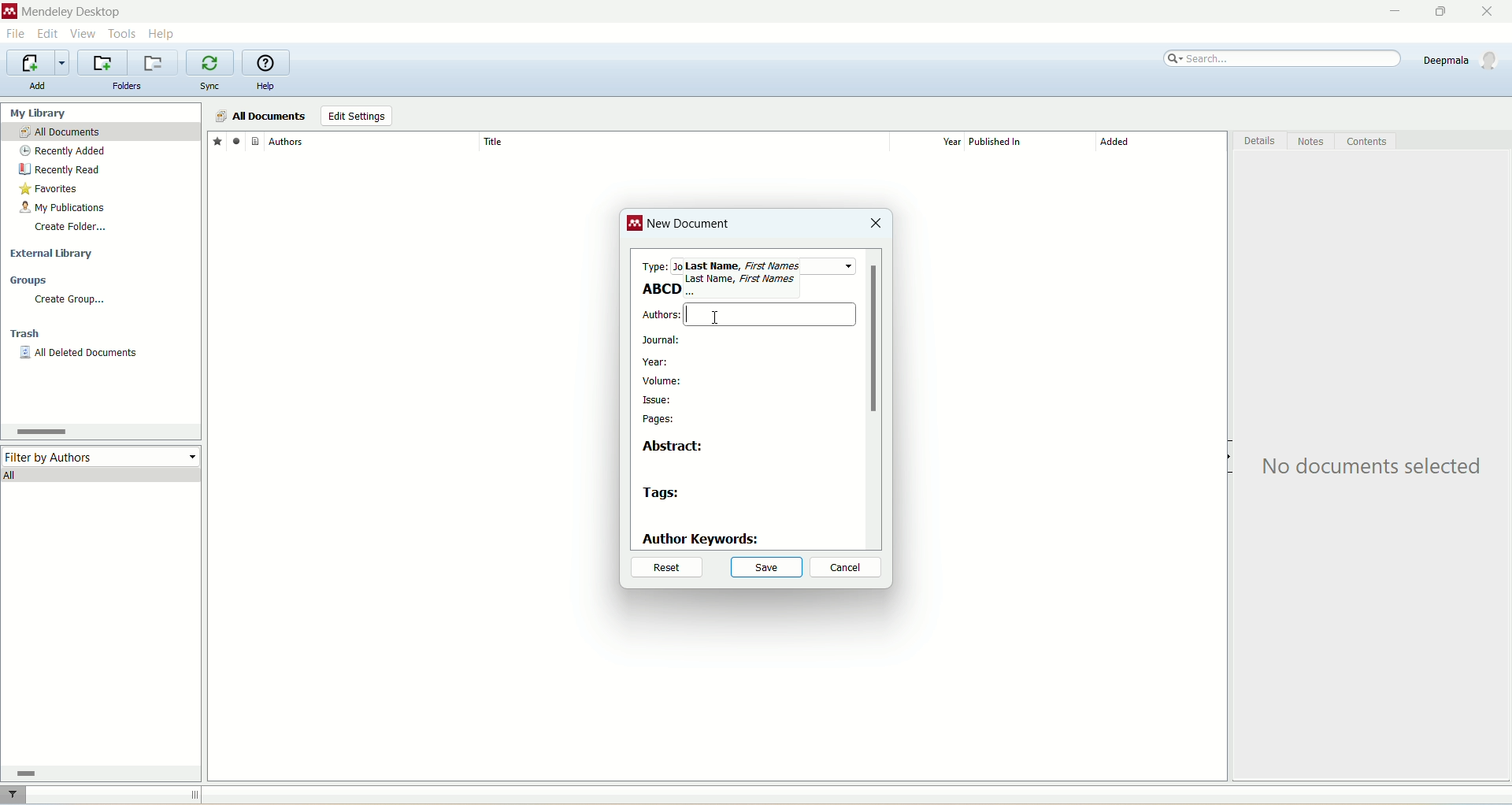 Image resolution: width=1512 pixels, height=805 pixels. Describe the element at coordinates (702, 540) in the screenshot. I see `author keywords` at that location.